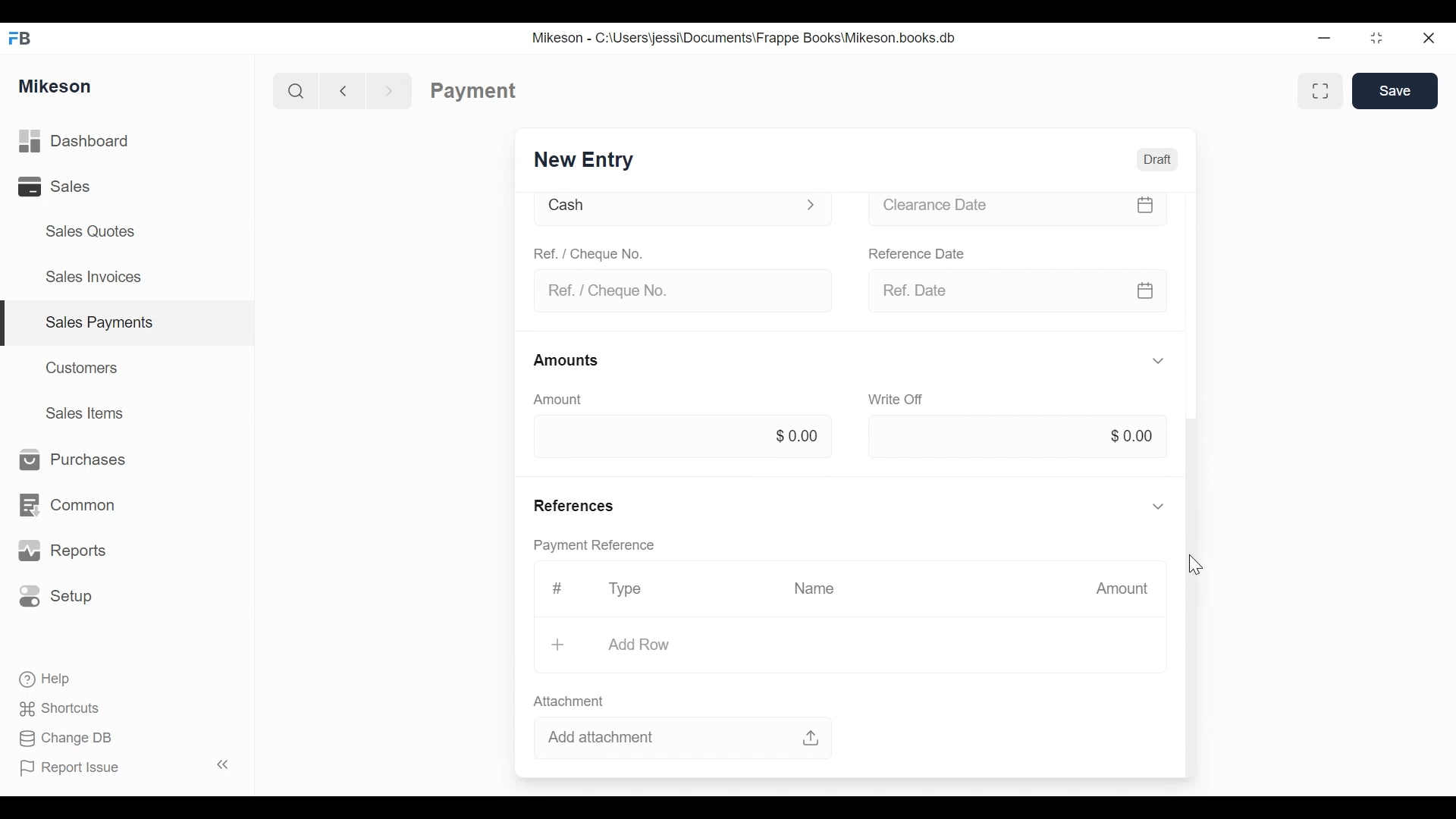 The height and width of the screenshot is (819, 1456). What do you see at coordinates (1429, 42) in the screenshot?
I see `close` at bounding box center [1429, 42].